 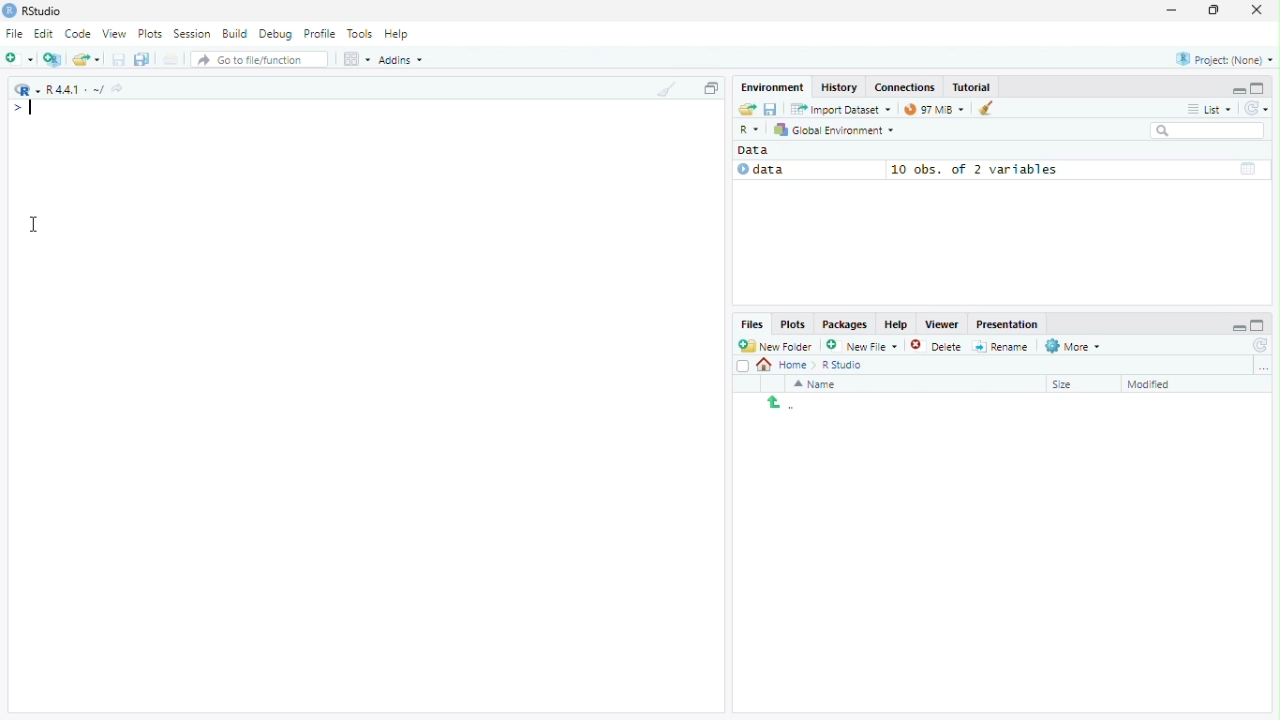 I want to click on Save current document, so click(x=120, y=59).